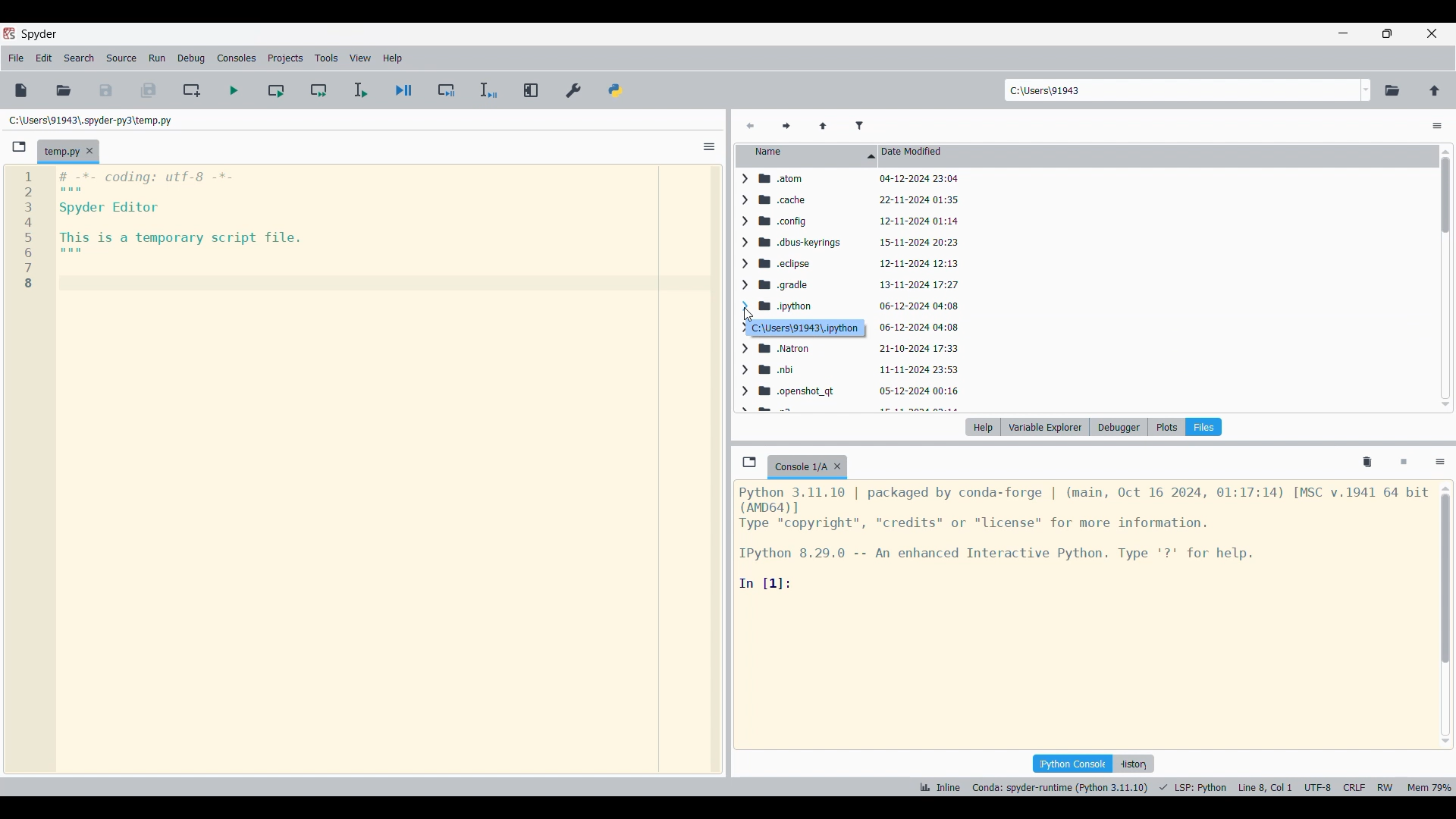 This screenshot has height=819, width=1456. I want to click on Close interface , so click(1432, 33).